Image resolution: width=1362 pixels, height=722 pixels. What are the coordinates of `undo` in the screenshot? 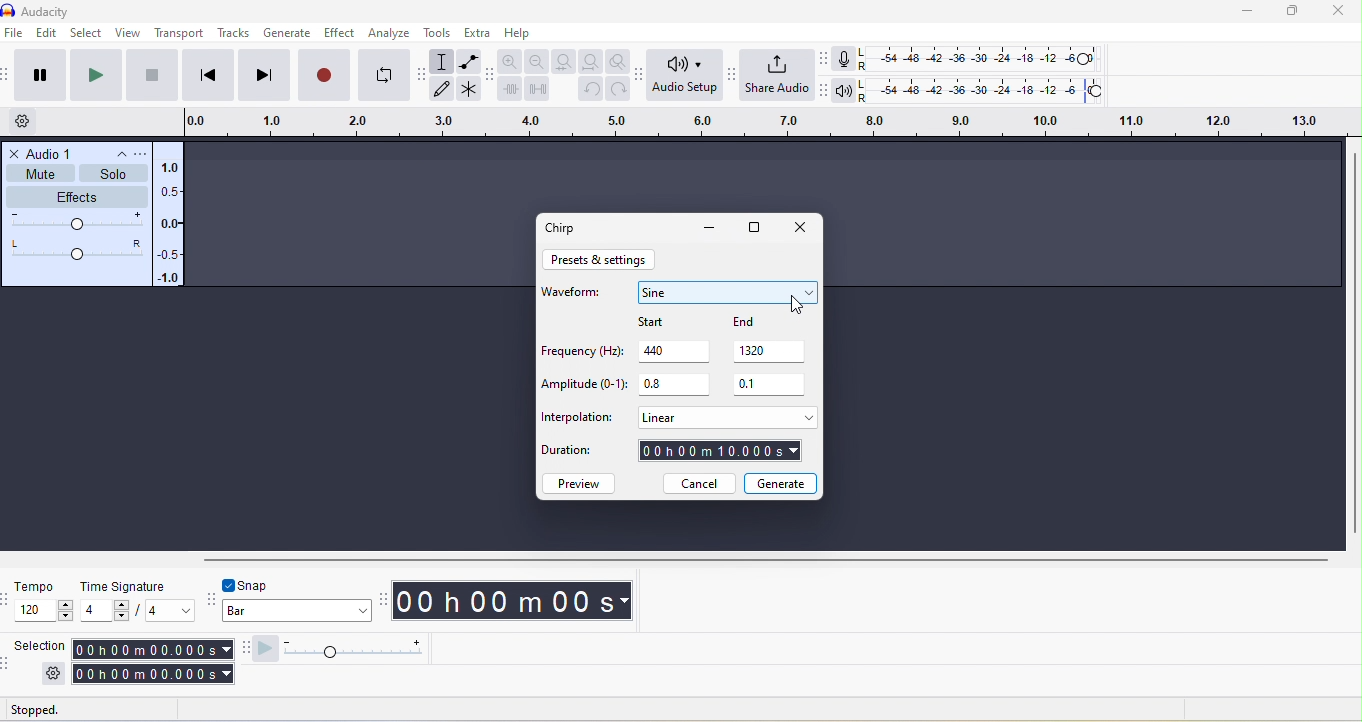 It's located at (589, 90).